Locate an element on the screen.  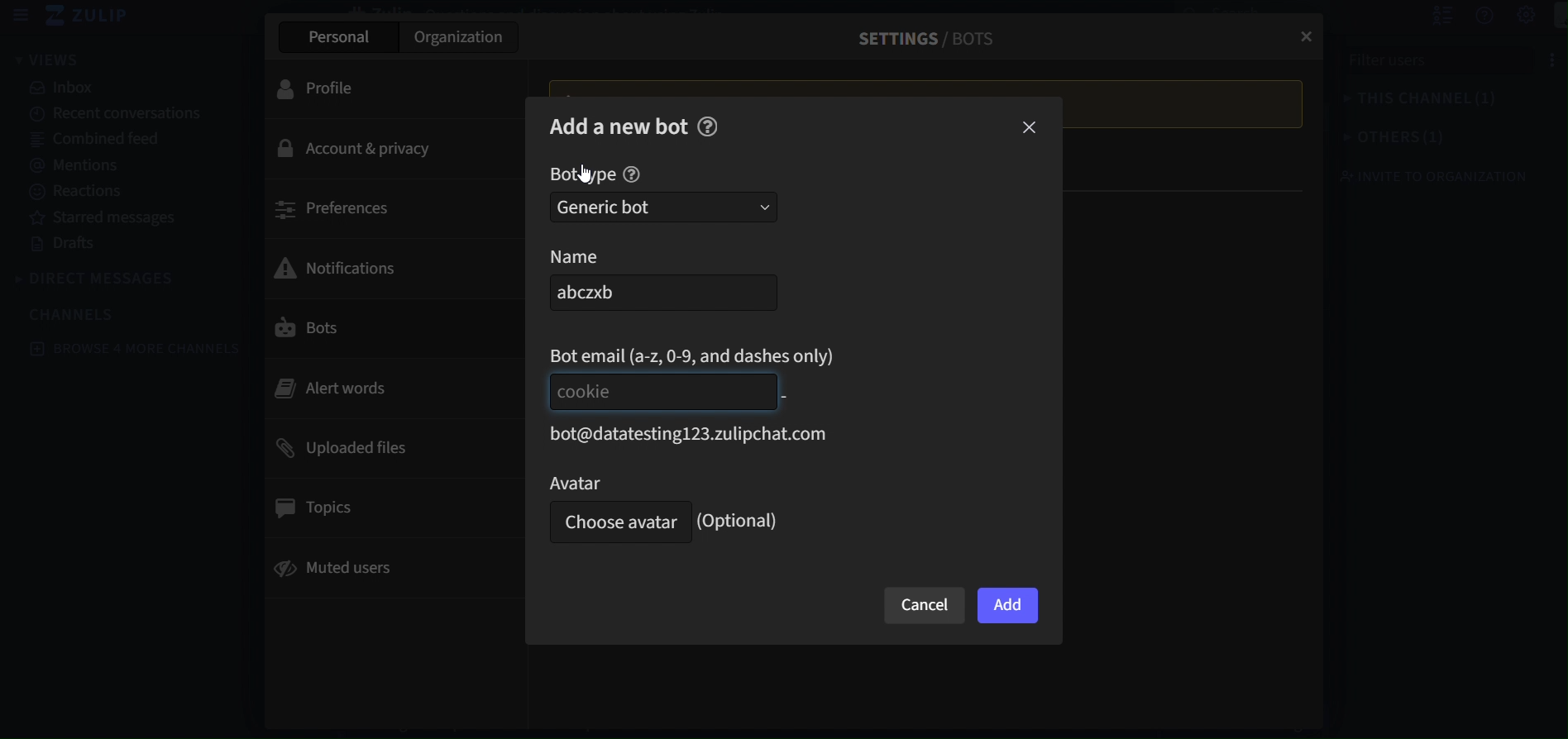
inbox is located at coordinates (127, 88).